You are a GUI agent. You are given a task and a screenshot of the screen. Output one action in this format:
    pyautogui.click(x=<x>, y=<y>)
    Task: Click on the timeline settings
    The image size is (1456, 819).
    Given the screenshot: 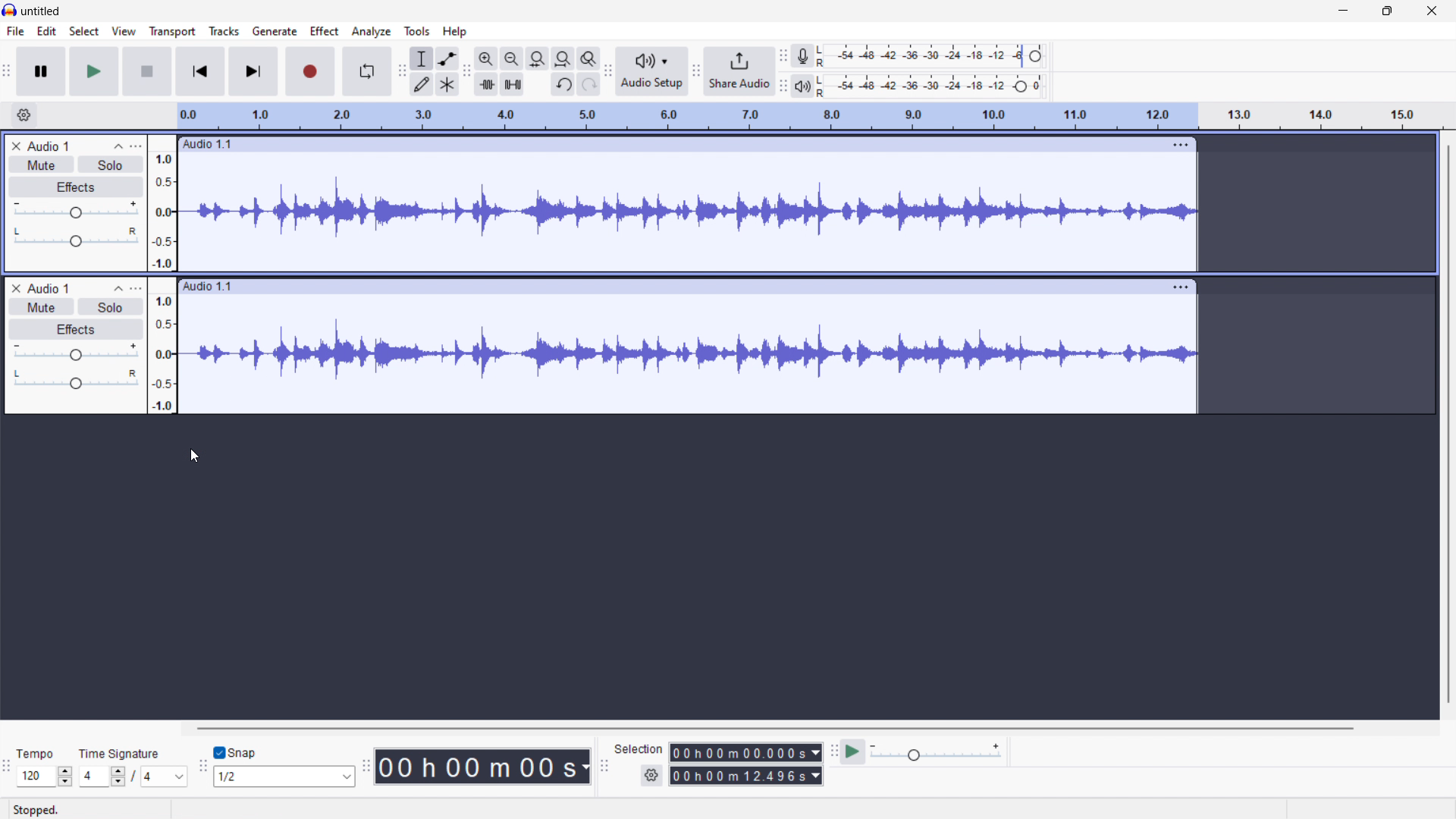 What is the action you would take?
    pyautogui.click(x=23, y=115)
    